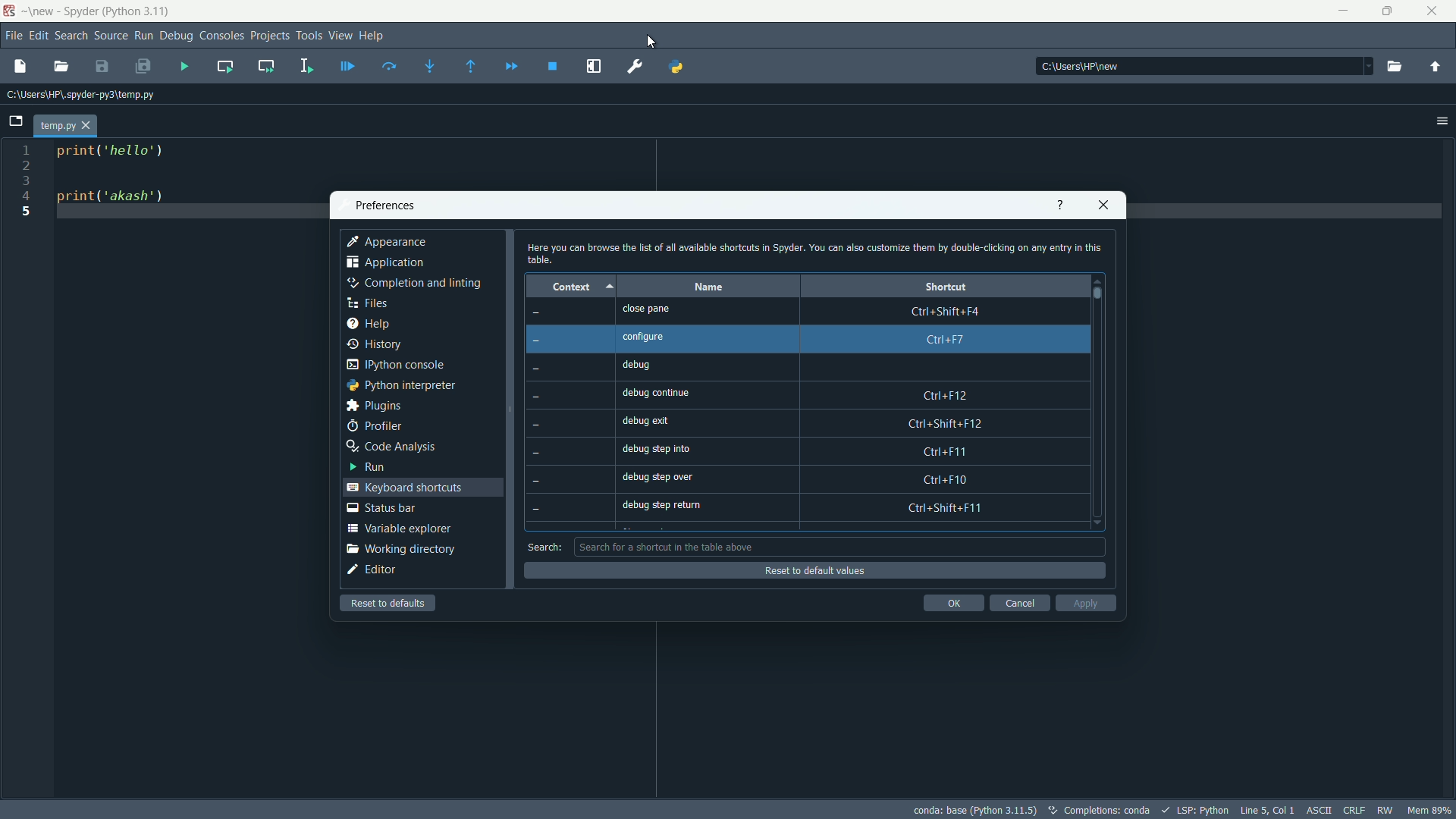  Describe the element at coordinates (821, 422) in the screenshot. I see `debug exit Ctrl +Shift+F12` at that location.